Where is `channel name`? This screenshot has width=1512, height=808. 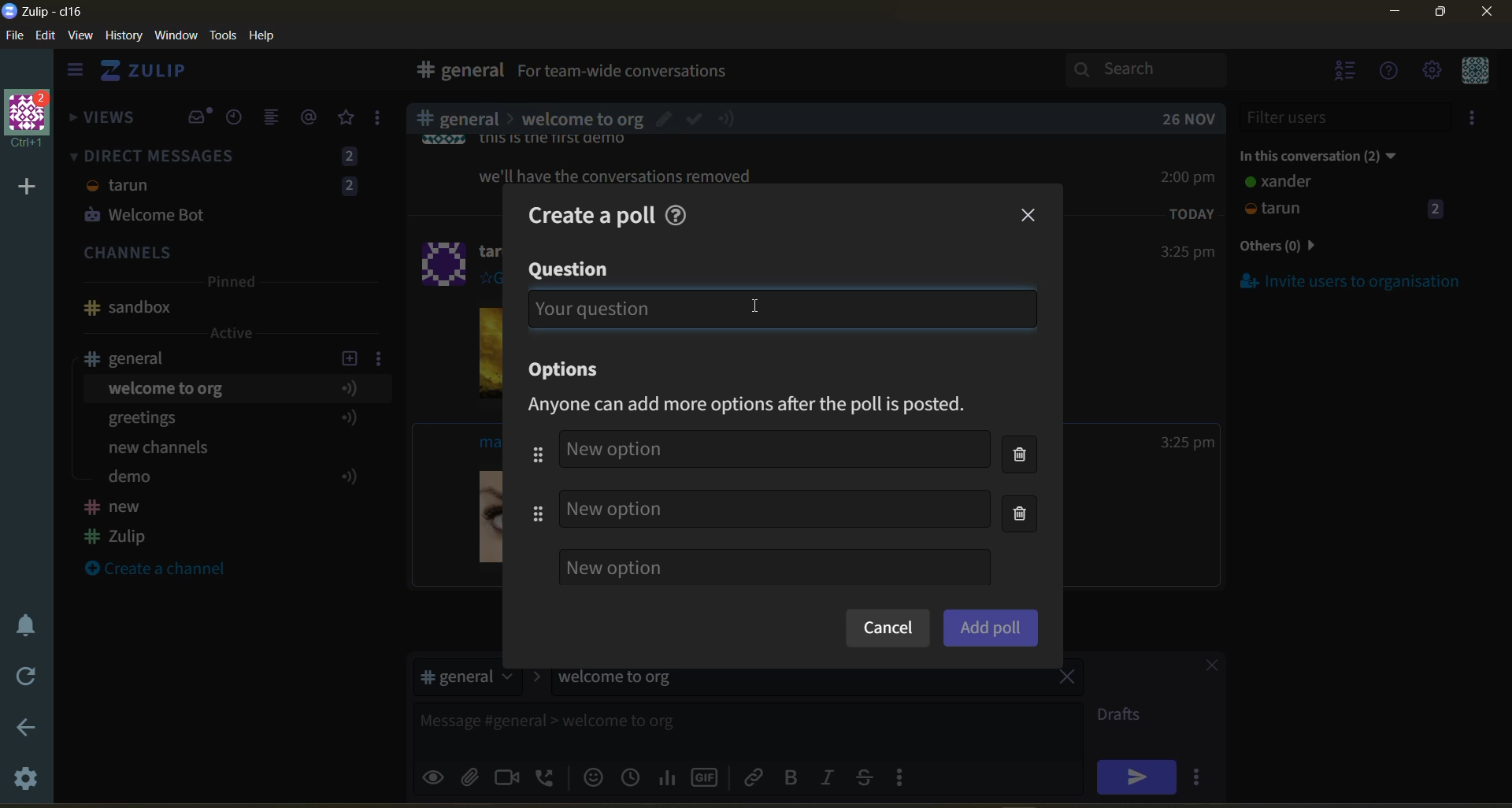 channel name is located at coordinates (136, 358).